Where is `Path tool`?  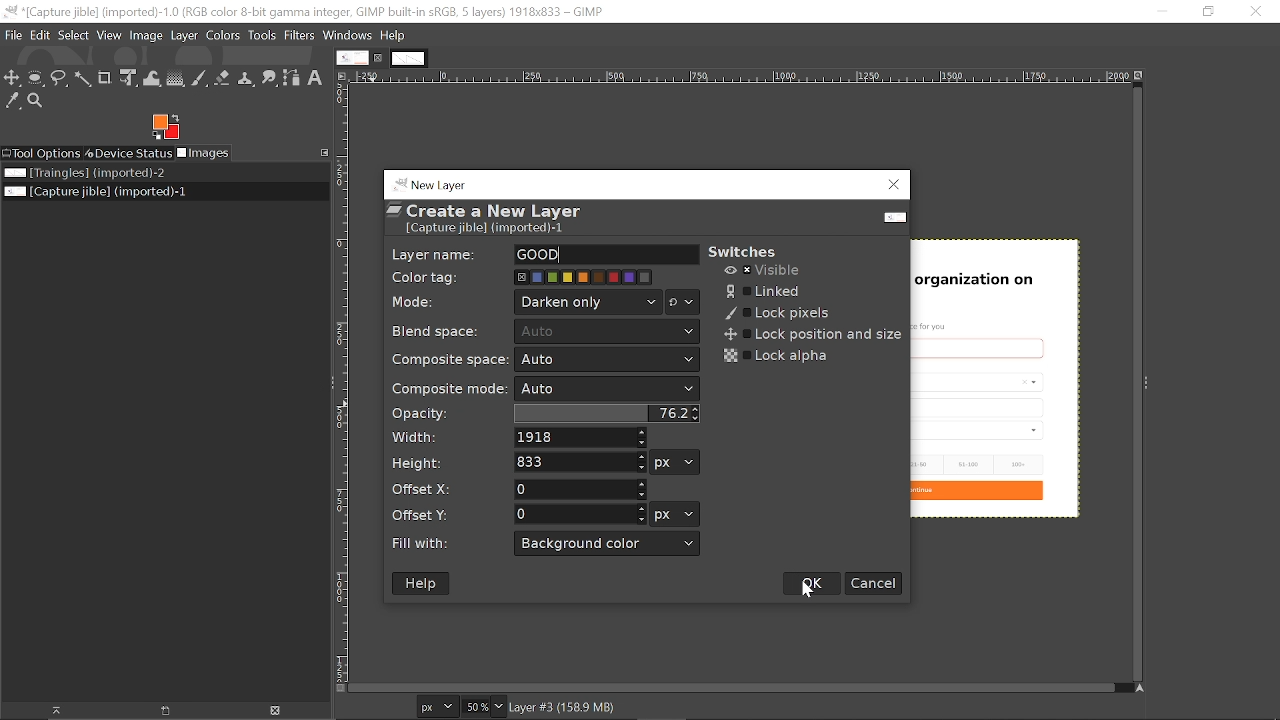
Path tool is located at coordinates (293, 80).